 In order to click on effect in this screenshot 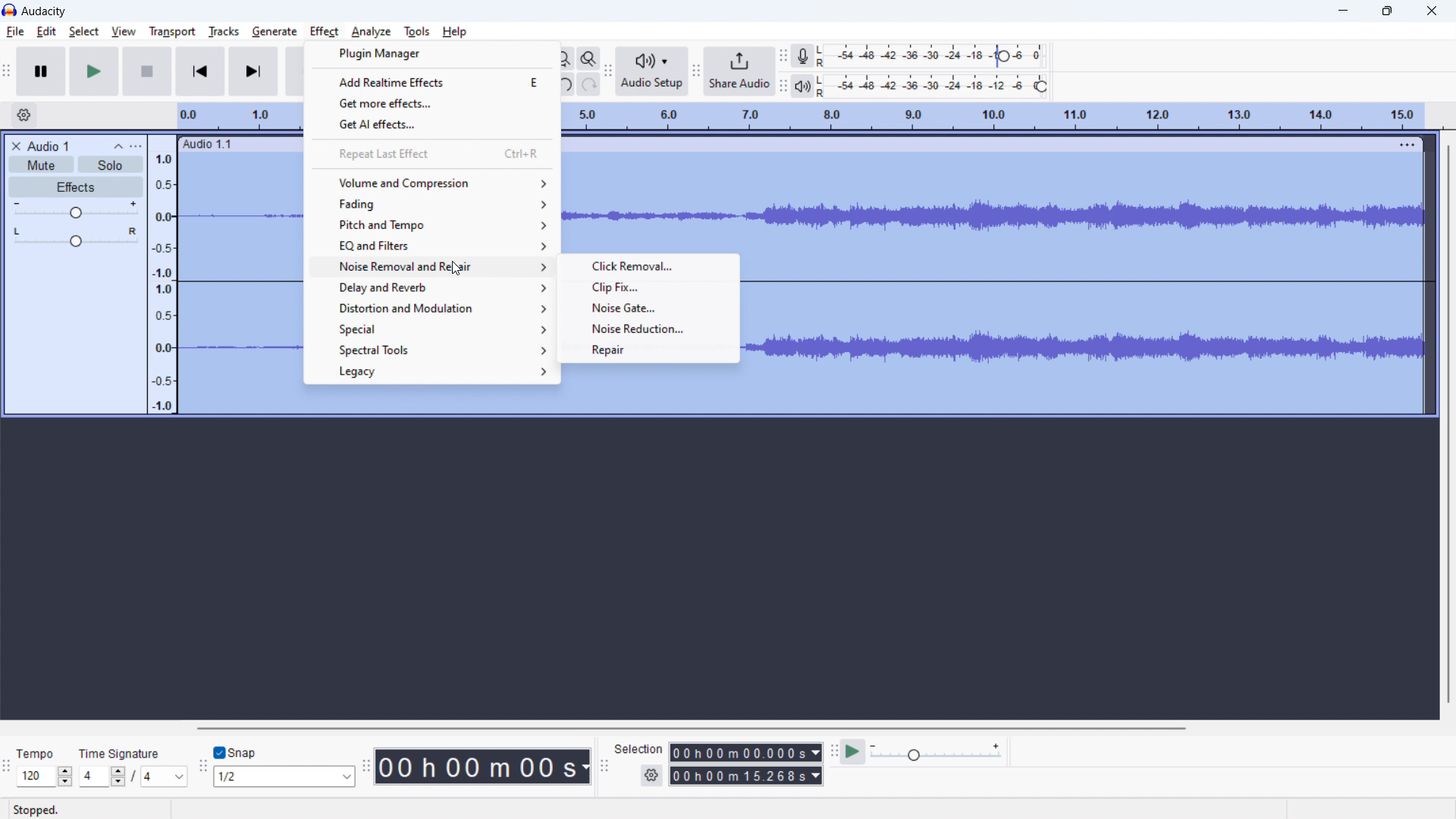, I will do `click(325, 32)`.